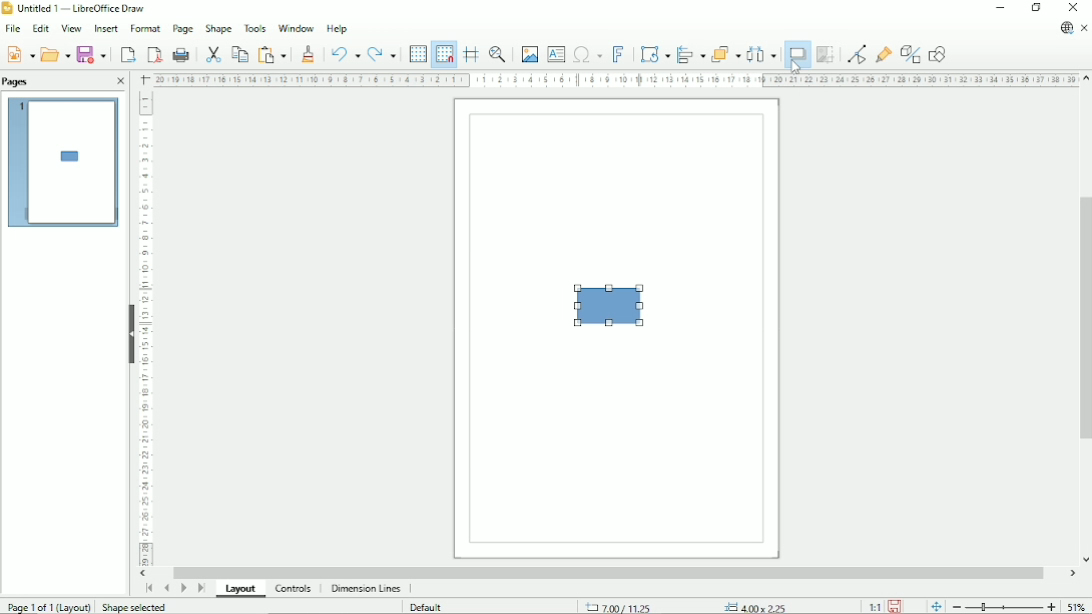 The image size is (1092, 614). Describe the element at coordinates (608, 179) in the screenshot. I see `Frame` at that location.